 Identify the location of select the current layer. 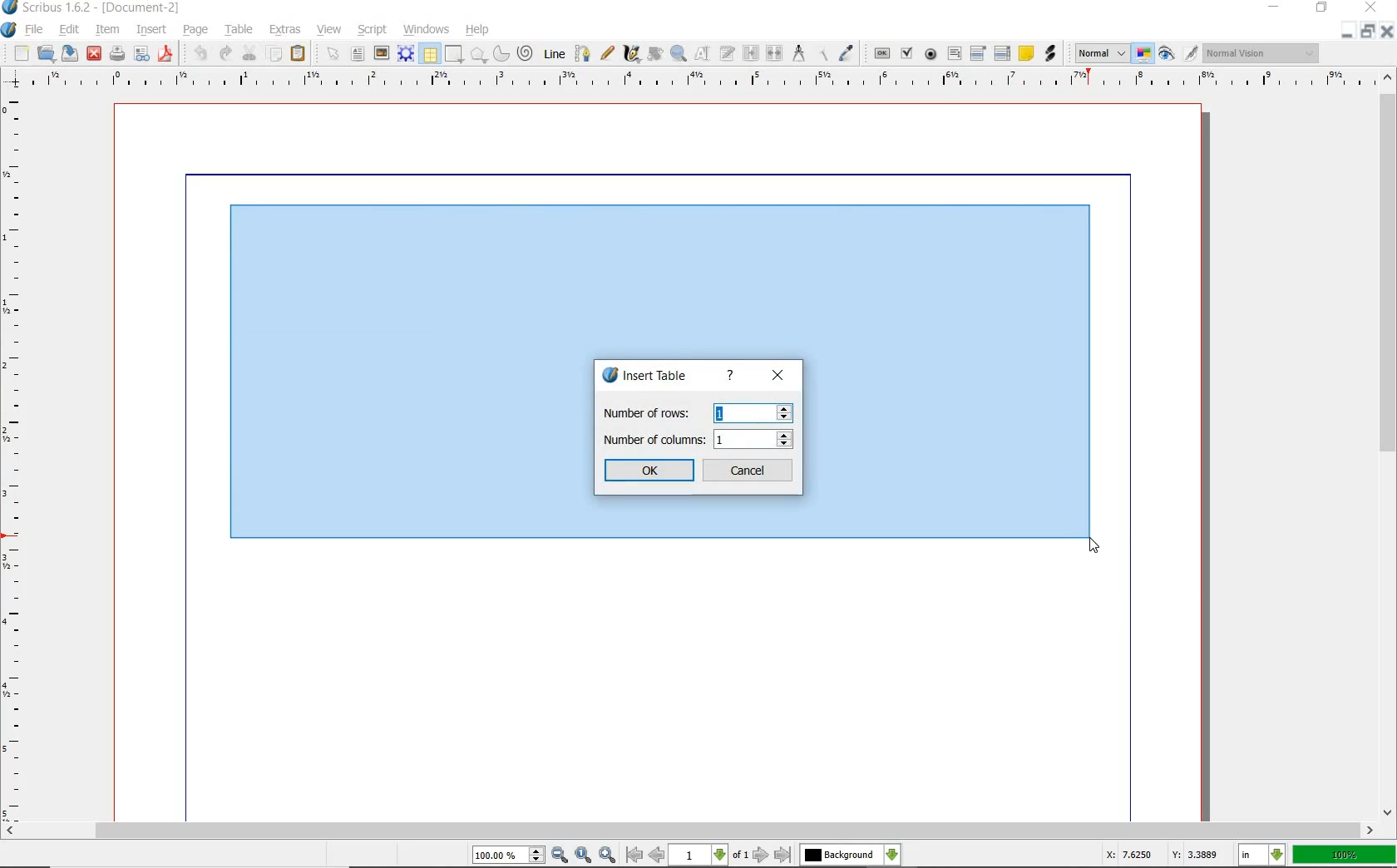
(850, 856).